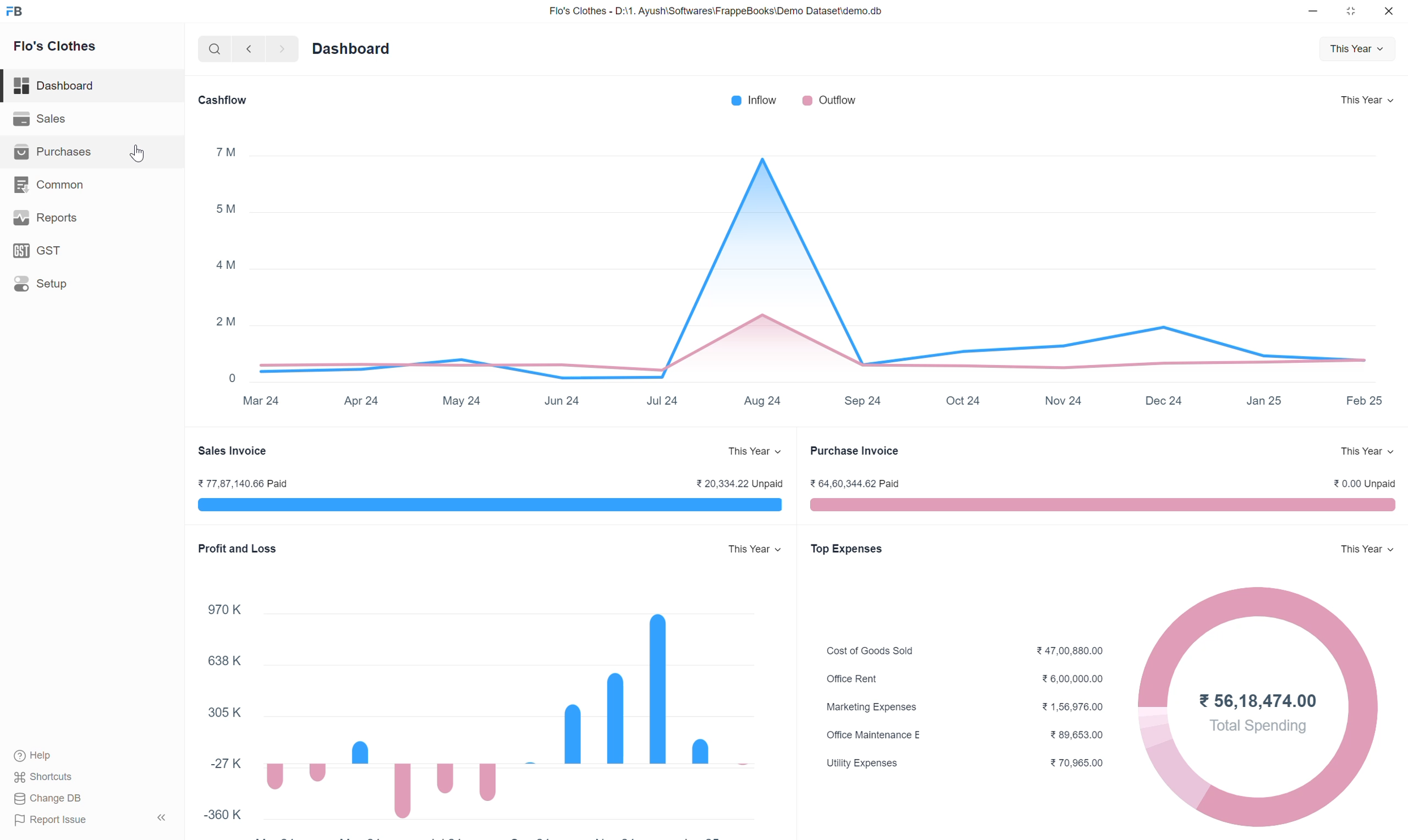 The height and width of the screenshot is (840, 1408). What do you see at coordinates (756, 550) in the screenshot?
I see `This year` at bounding box center [756, 550].